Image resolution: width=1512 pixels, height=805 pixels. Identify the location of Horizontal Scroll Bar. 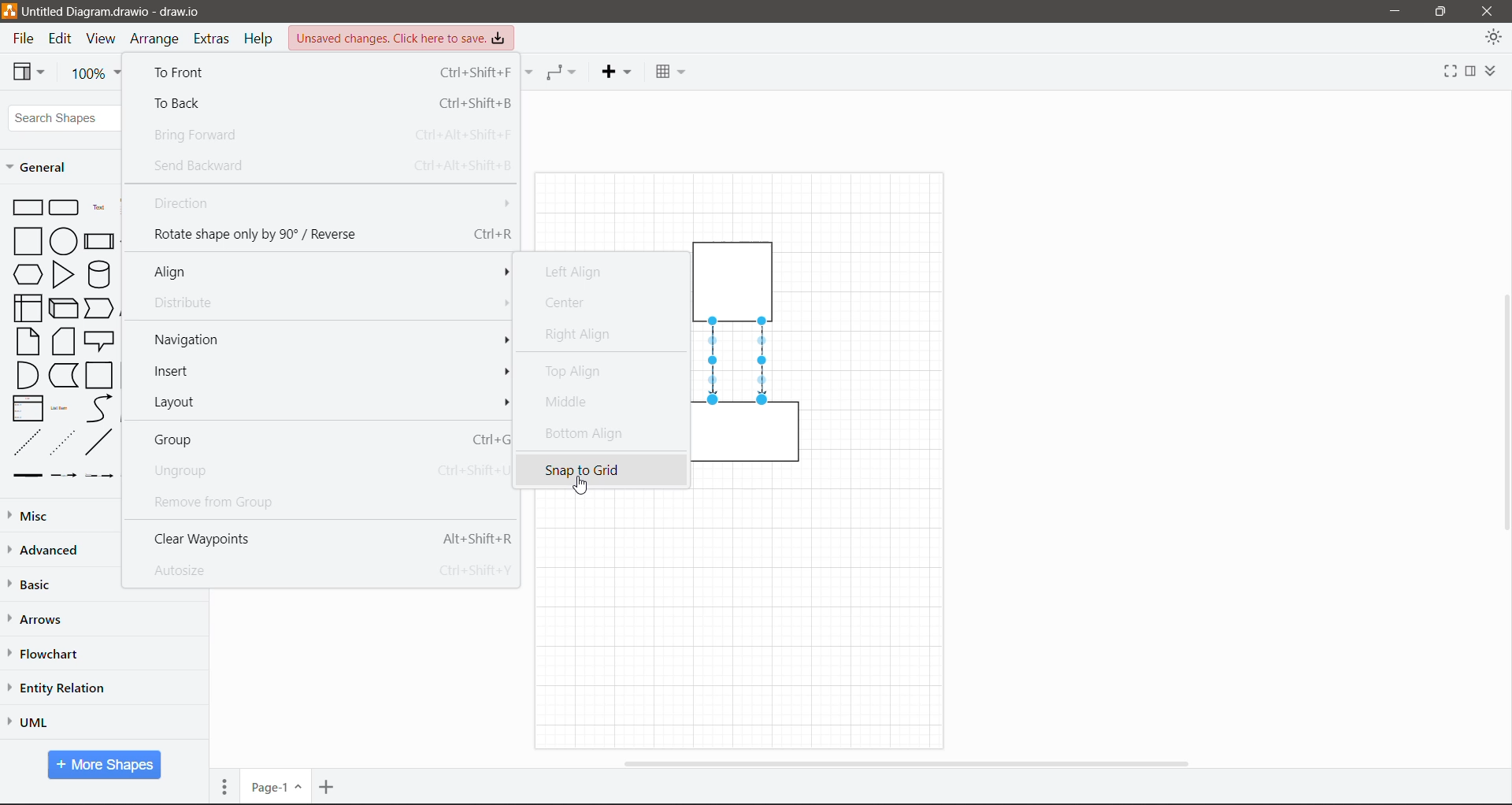
(904, 762).